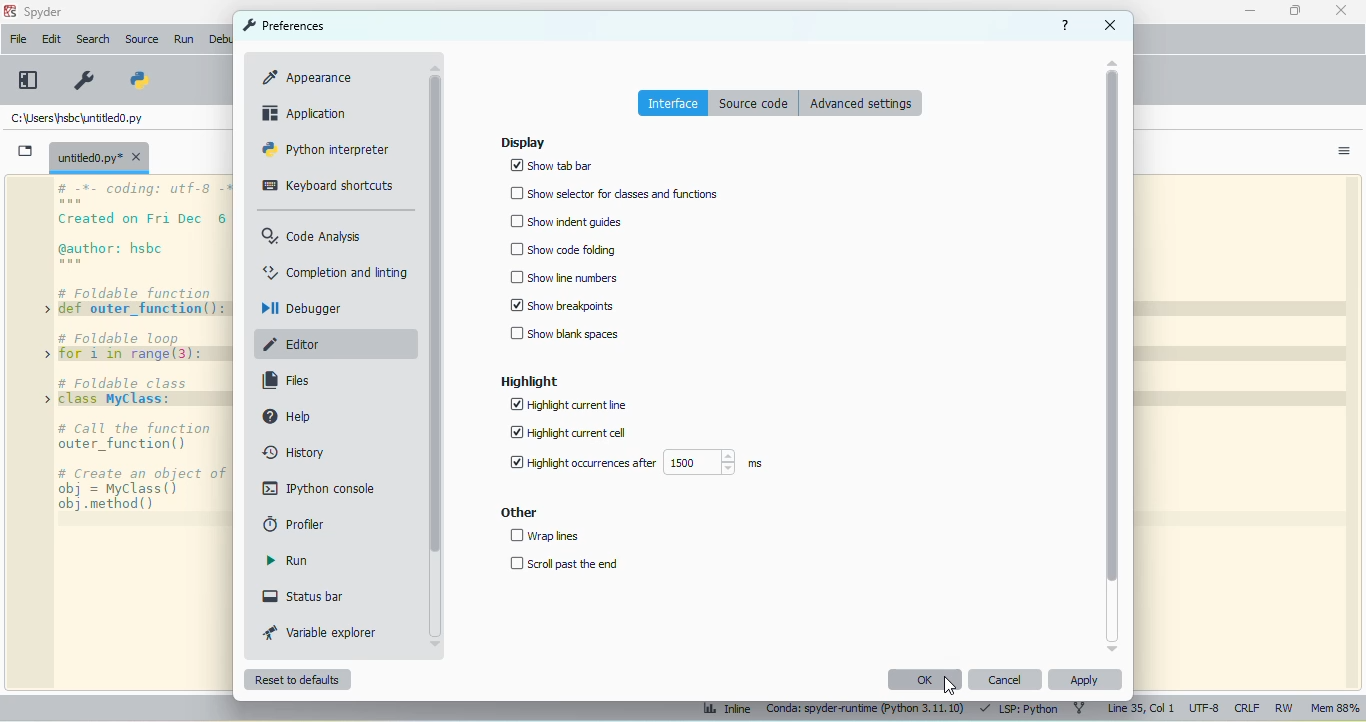 The height and width of the screenshot is (722, 1366). I want to click on untitled0.py, so click(99, 157).